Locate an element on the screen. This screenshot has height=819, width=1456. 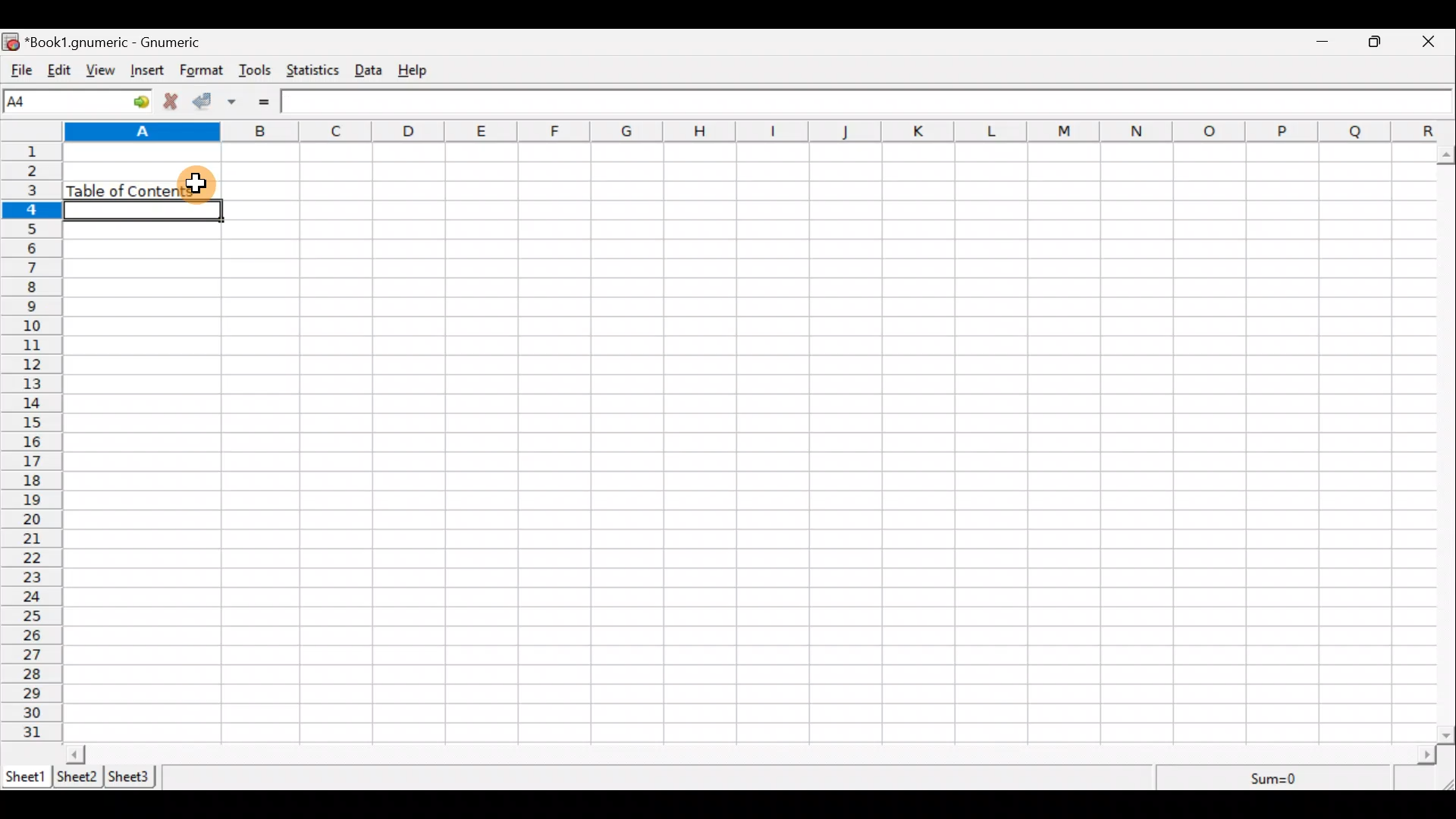
Edit is located at coordinates (58, 71).